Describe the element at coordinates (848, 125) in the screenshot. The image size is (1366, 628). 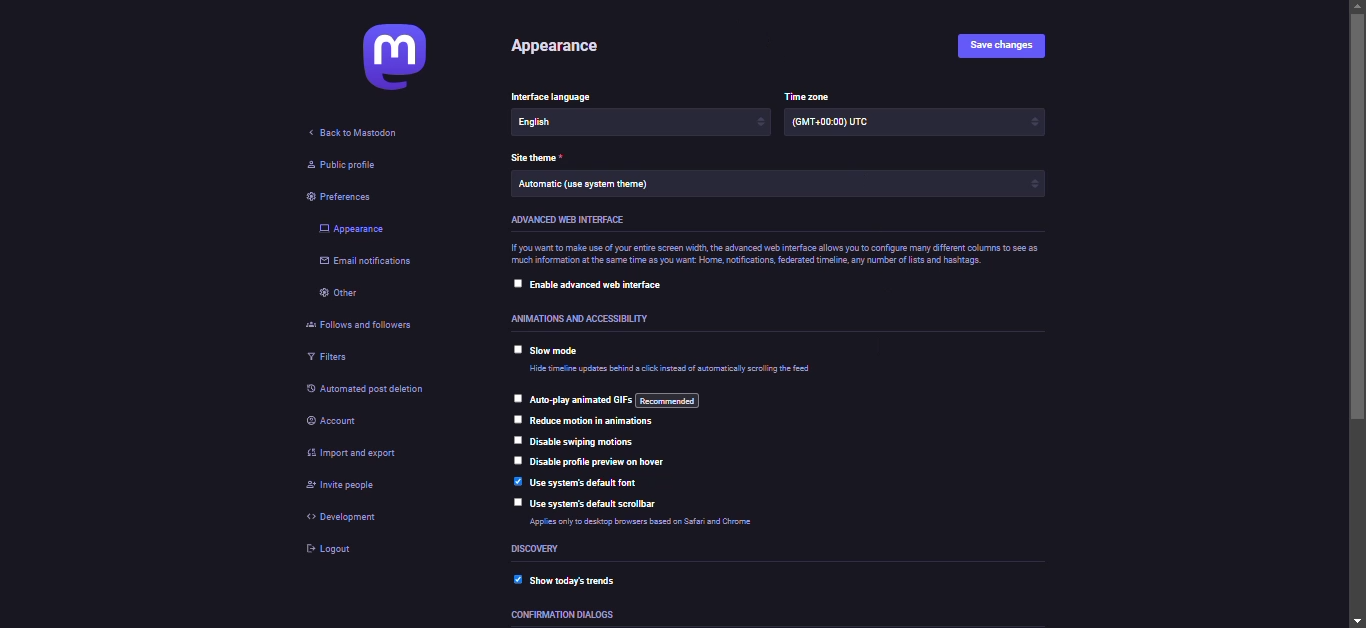
I see `time zone` at that location.